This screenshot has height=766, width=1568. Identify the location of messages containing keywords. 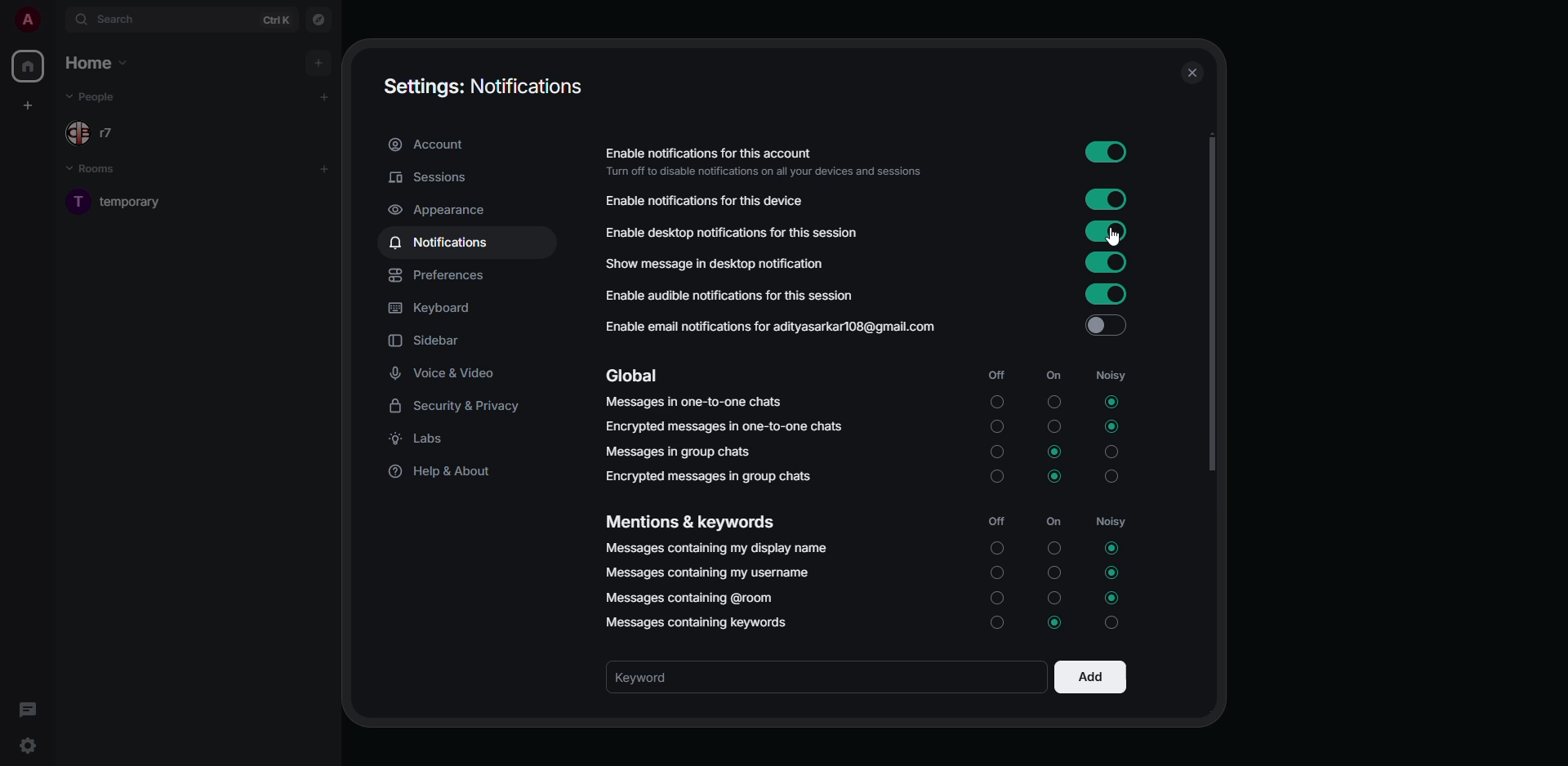
(697, 625).